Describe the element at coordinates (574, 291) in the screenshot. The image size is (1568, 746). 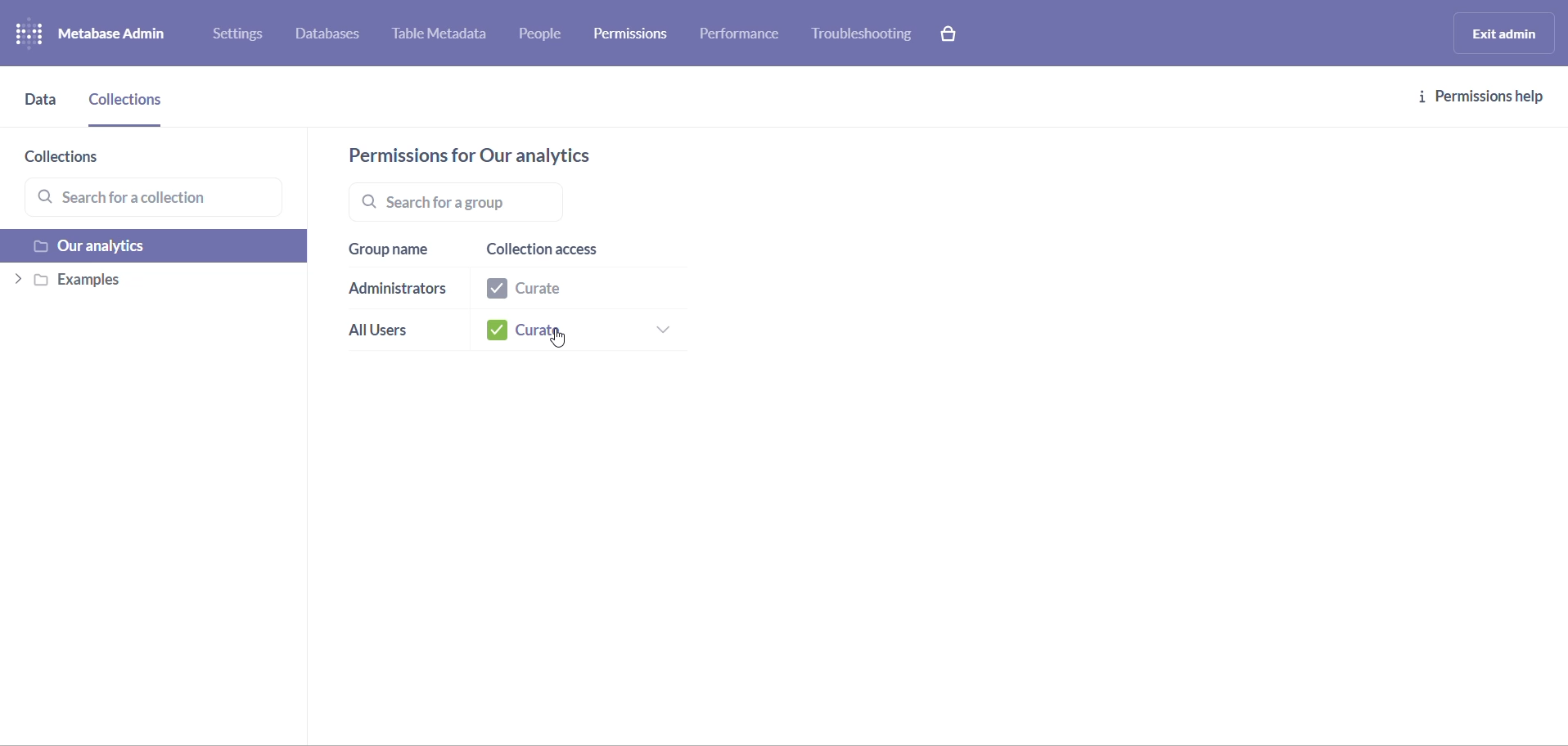
I see `access level` at that location.